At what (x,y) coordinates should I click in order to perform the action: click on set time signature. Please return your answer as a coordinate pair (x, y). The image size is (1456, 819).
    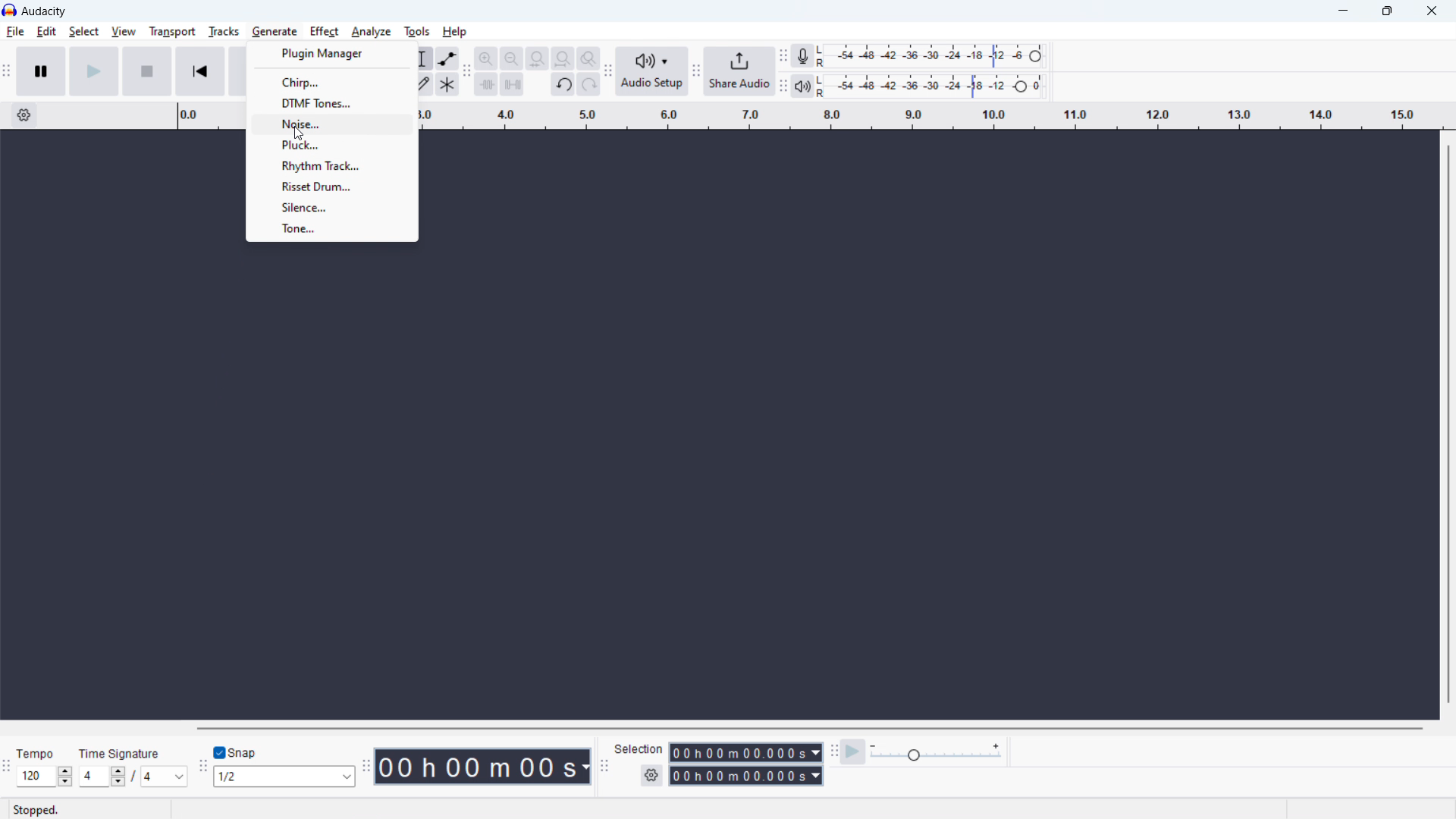
    Looking at the image, I should click on (134, 777).